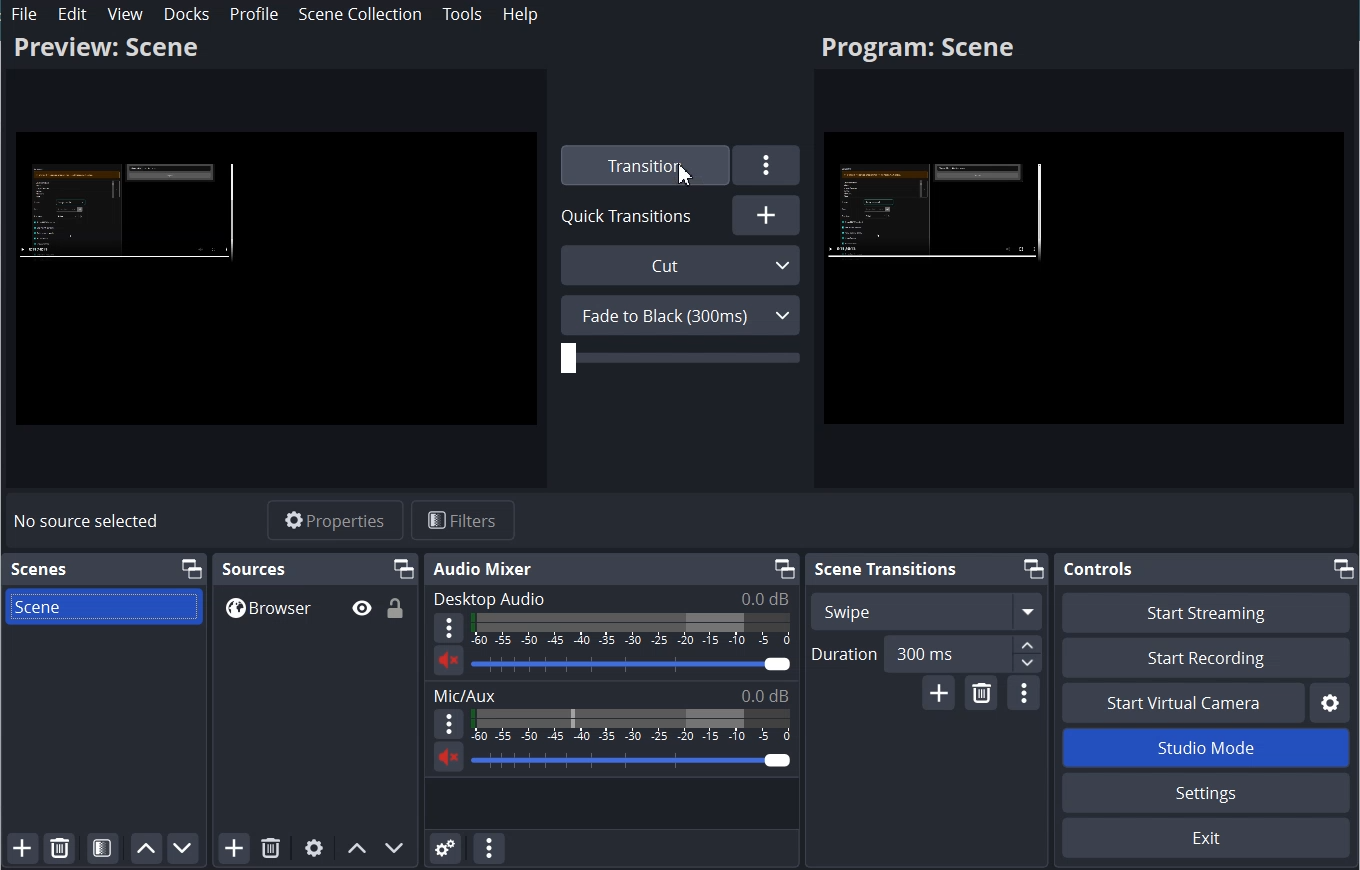  Describe the element at coordinates (1206, 792) in the screenshot. I see `Settings` at that location.